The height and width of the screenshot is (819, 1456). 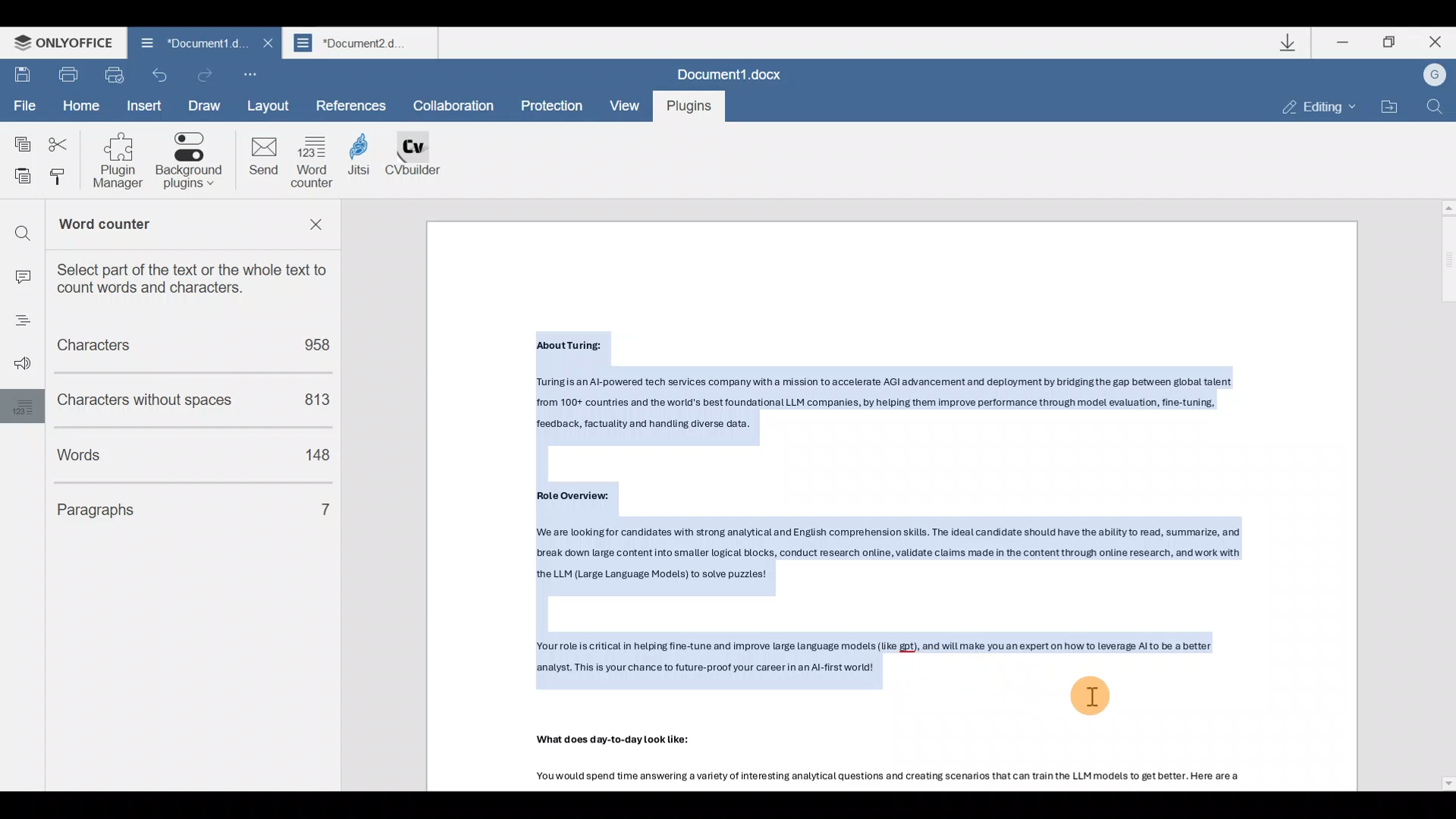 What do you see at coordinates (56, 145) in the screenshot?
I see `Cut` at bounding box center [56, 145].